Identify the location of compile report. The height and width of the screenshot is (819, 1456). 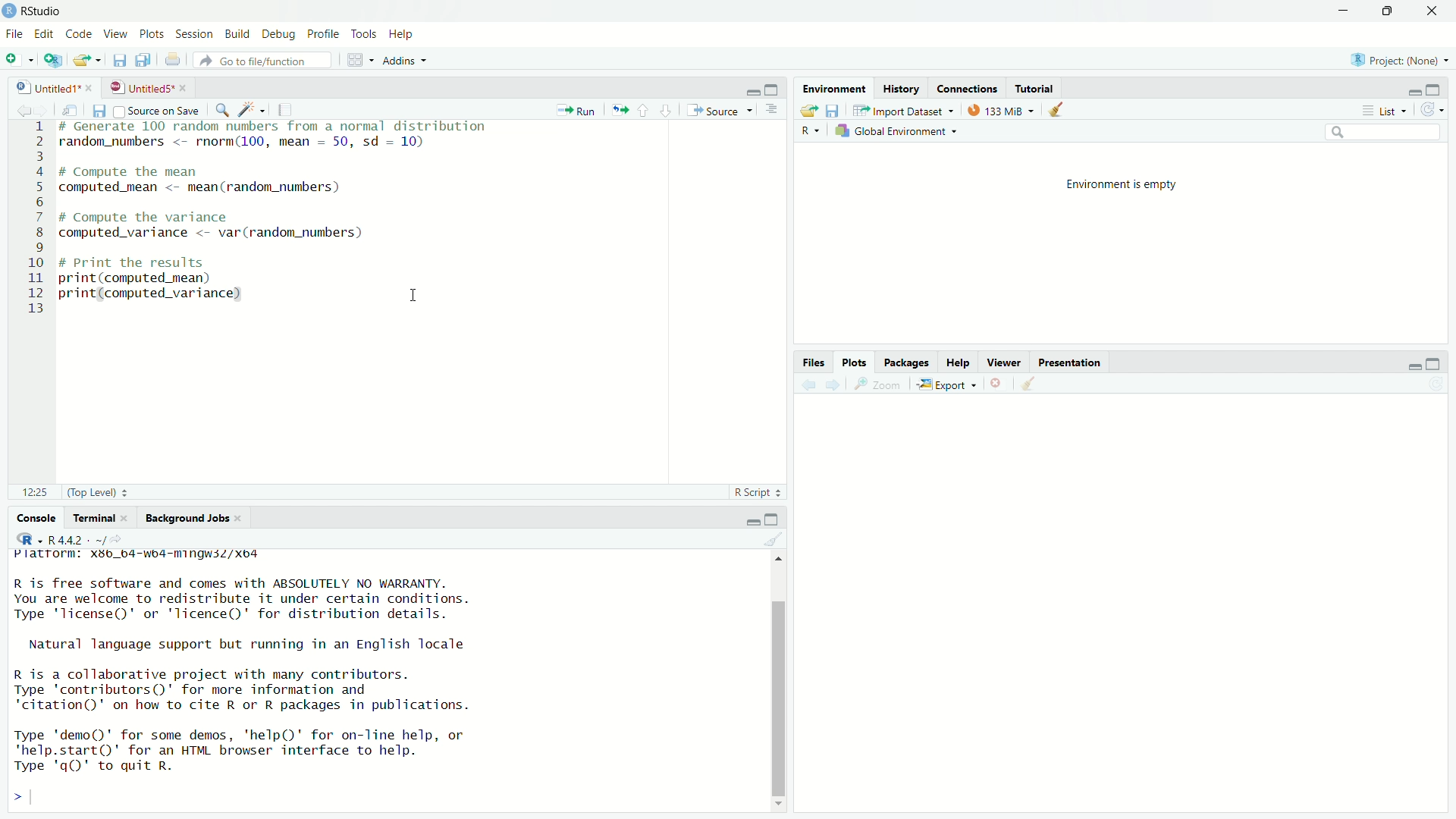
(286, 109).